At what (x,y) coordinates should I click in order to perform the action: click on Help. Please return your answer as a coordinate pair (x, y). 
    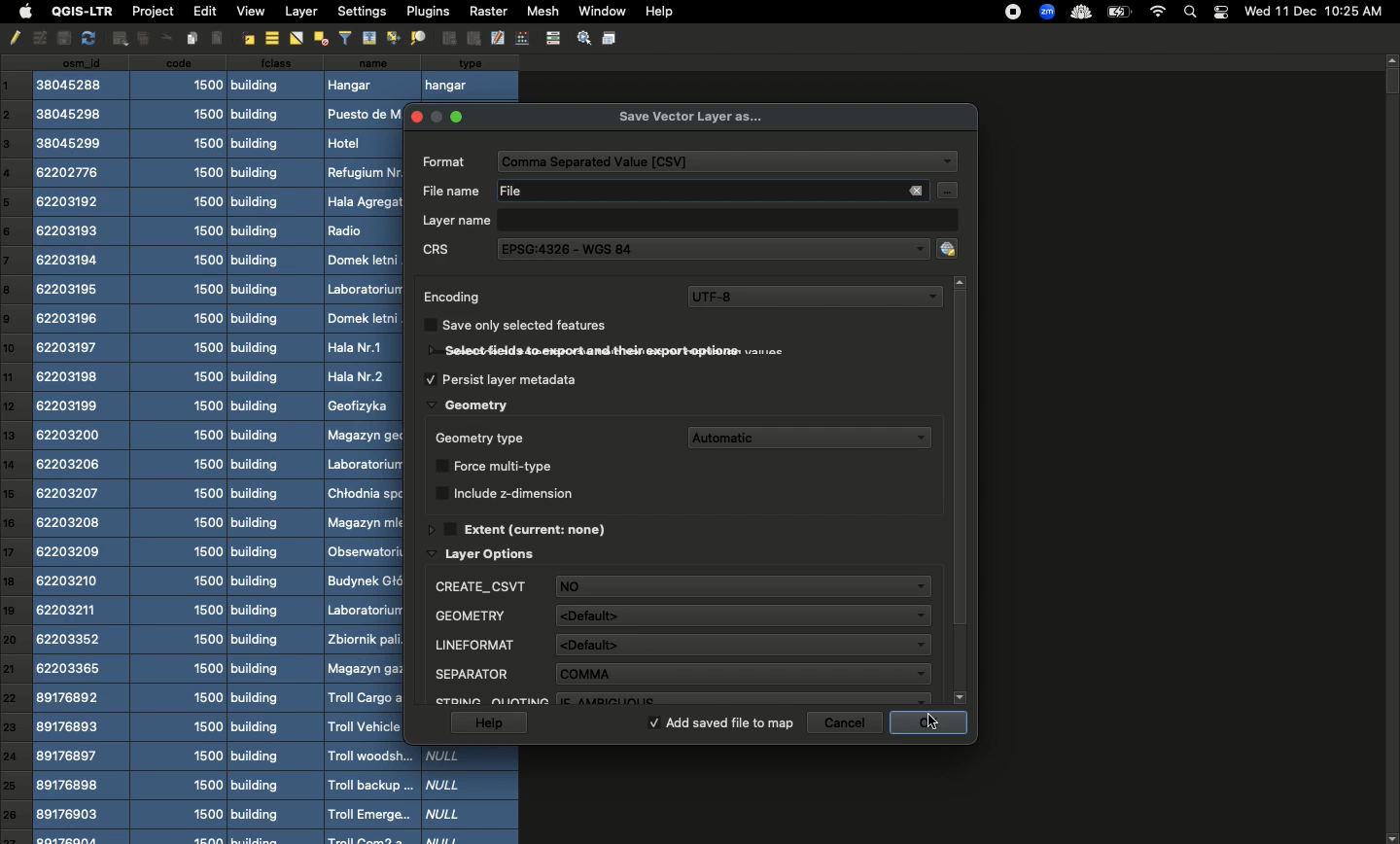
    Looking at the image, I should click on (487, 723).